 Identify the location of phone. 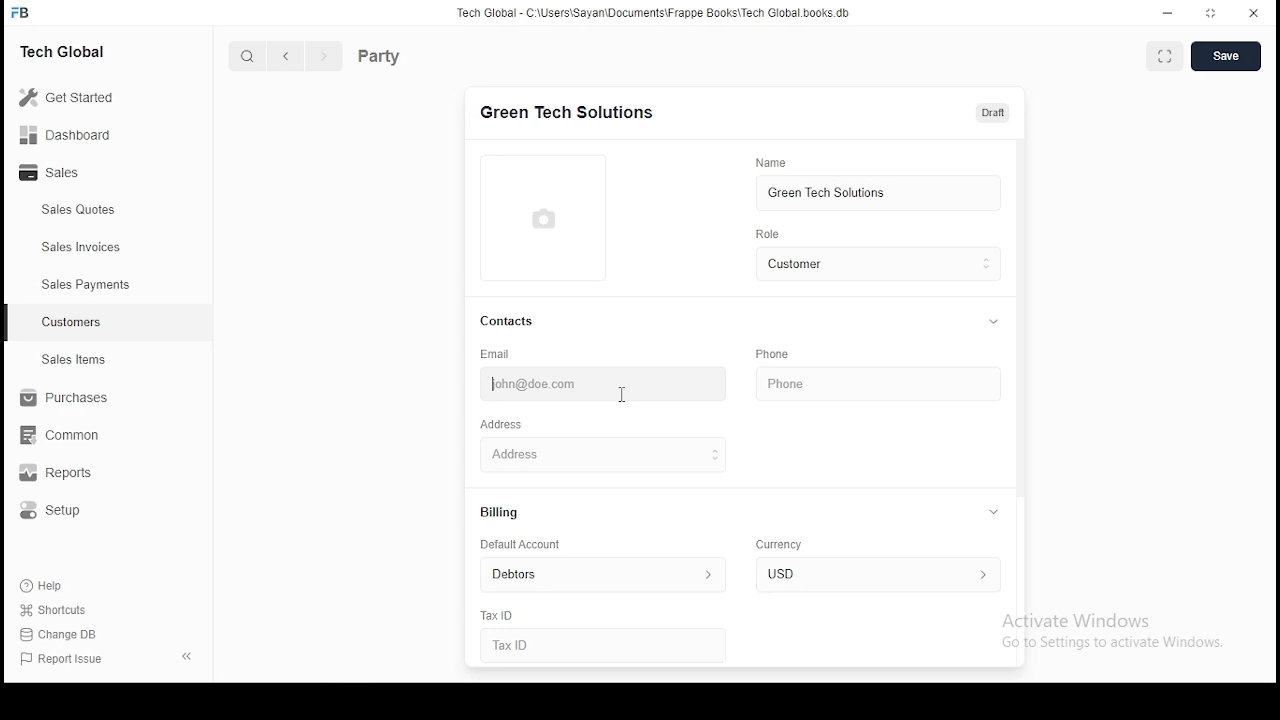
(772, 354).